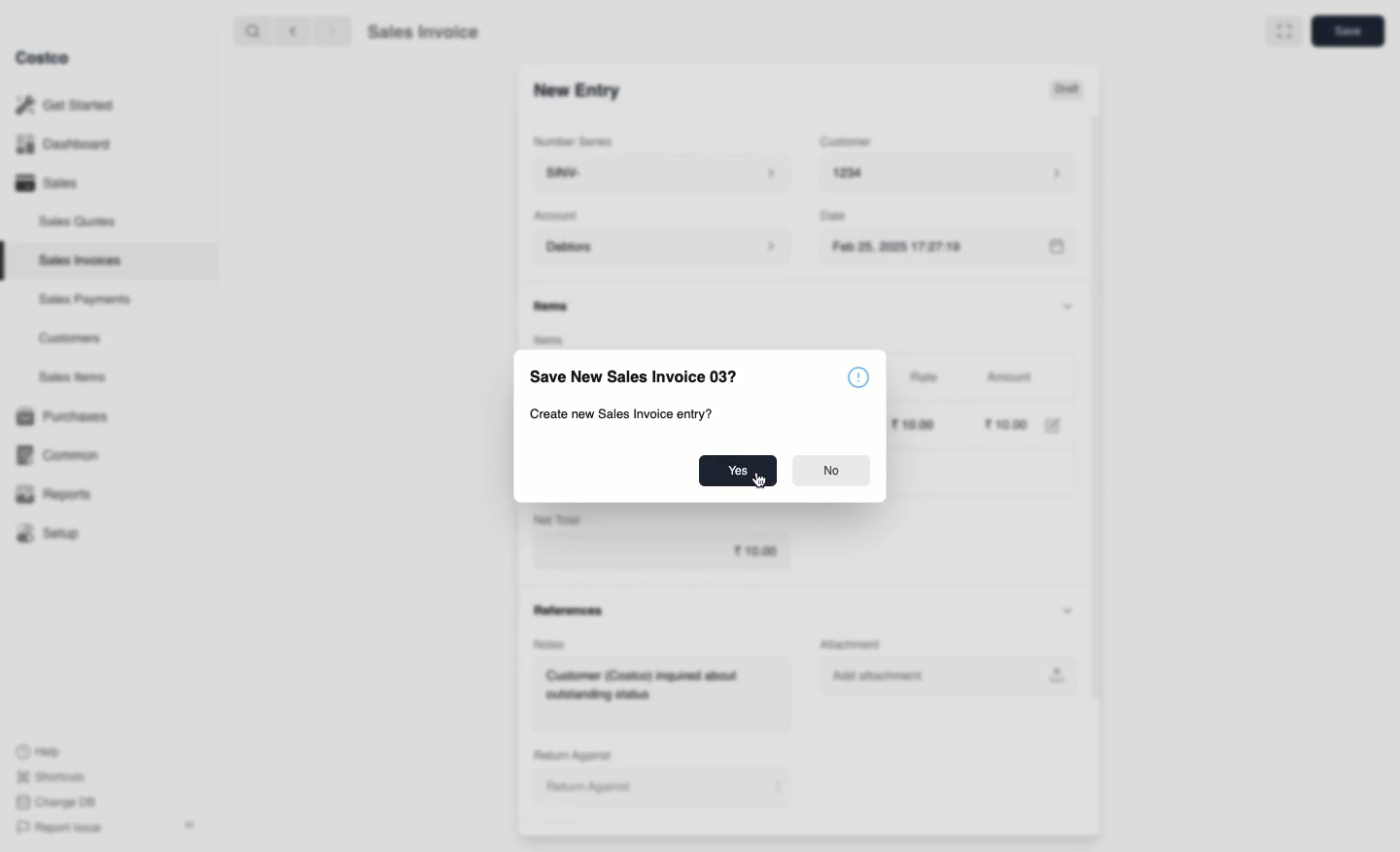  What do you see at coordinates (852, 143) in the screenshot?
I see `Customer` at bounding box center [852, 143].